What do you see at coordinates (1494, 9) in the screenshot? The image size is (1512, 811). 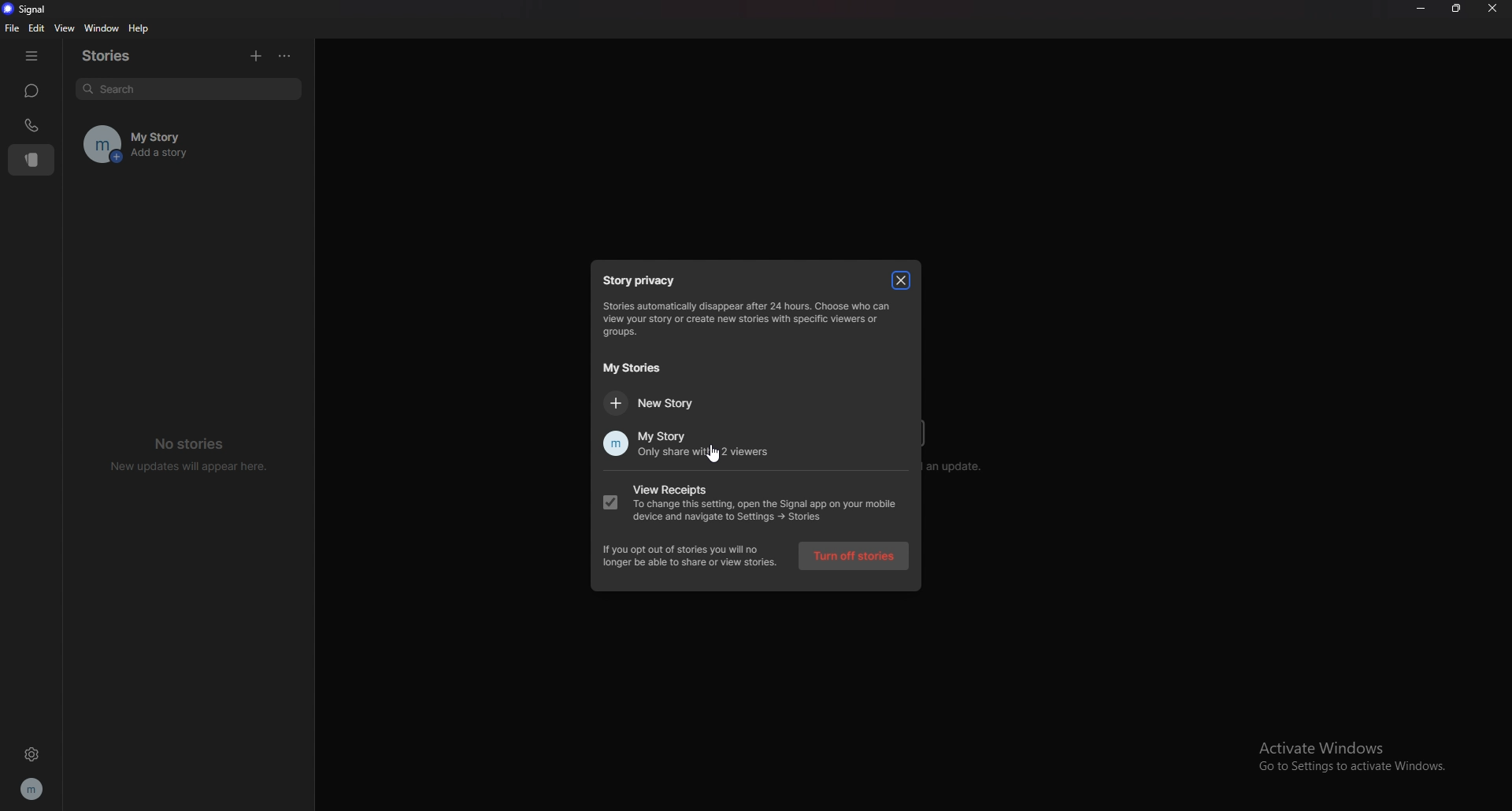 I see `close` at bounding box center [1494, 9].